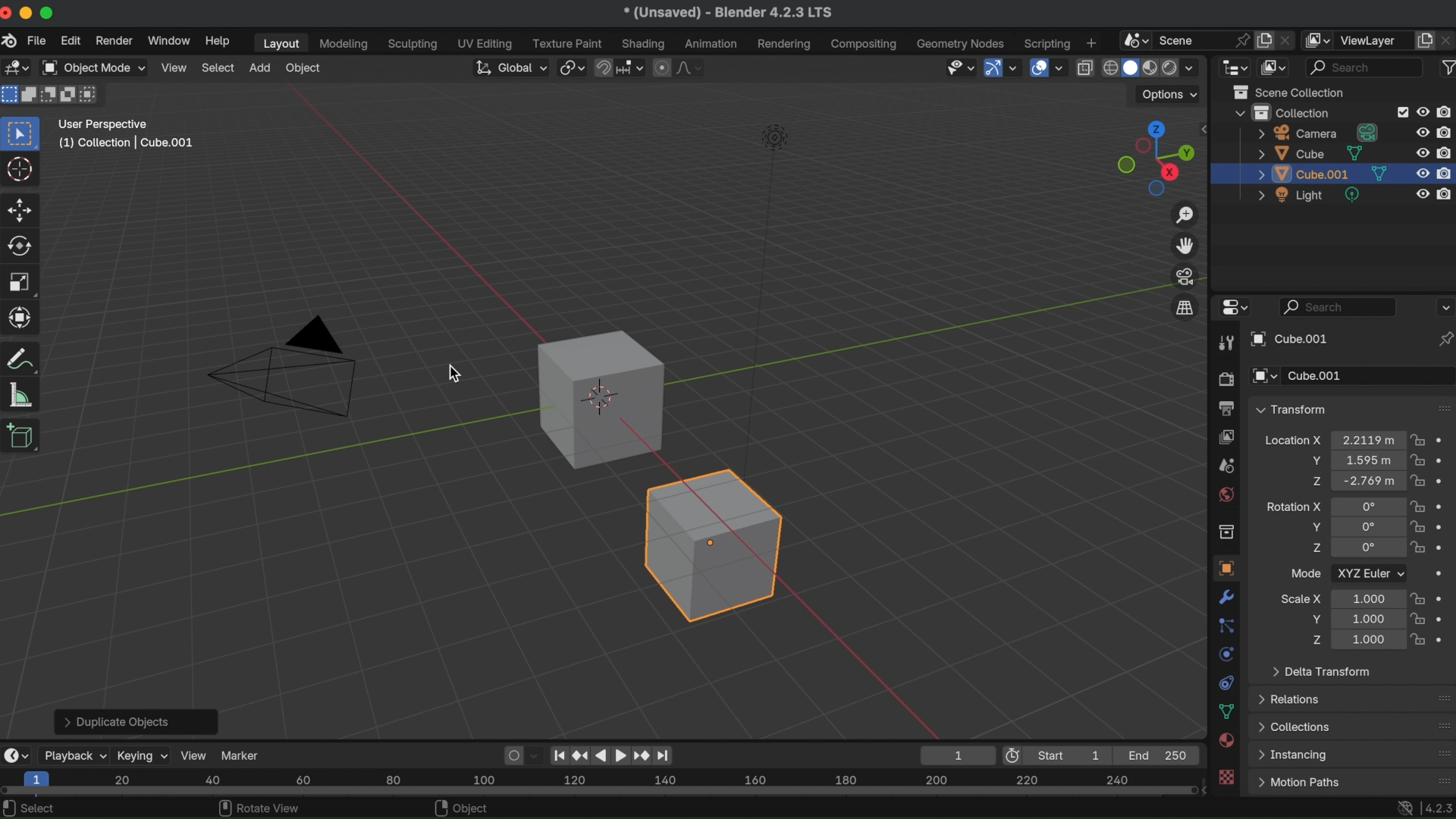 The height and width of the screenshot is (819, 1456). What do you see at coordinates (1321, 670) in the screenshot?
I see `delta transform` at bounding box center [1321, 670].